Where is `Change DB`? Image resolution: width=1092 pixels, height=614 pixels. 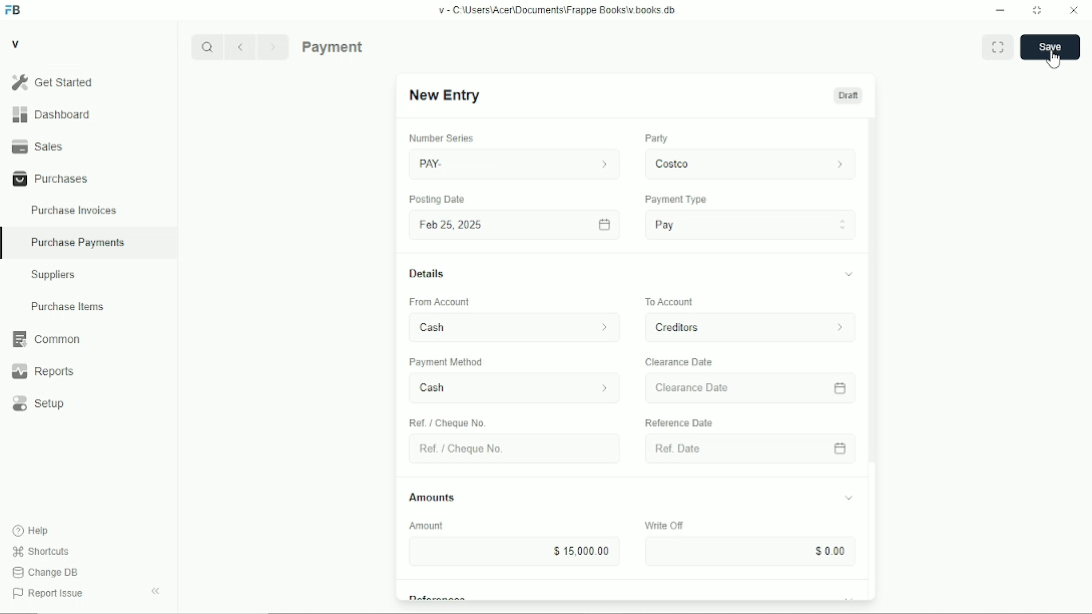
Change DB is located at coordinates (46, 573).